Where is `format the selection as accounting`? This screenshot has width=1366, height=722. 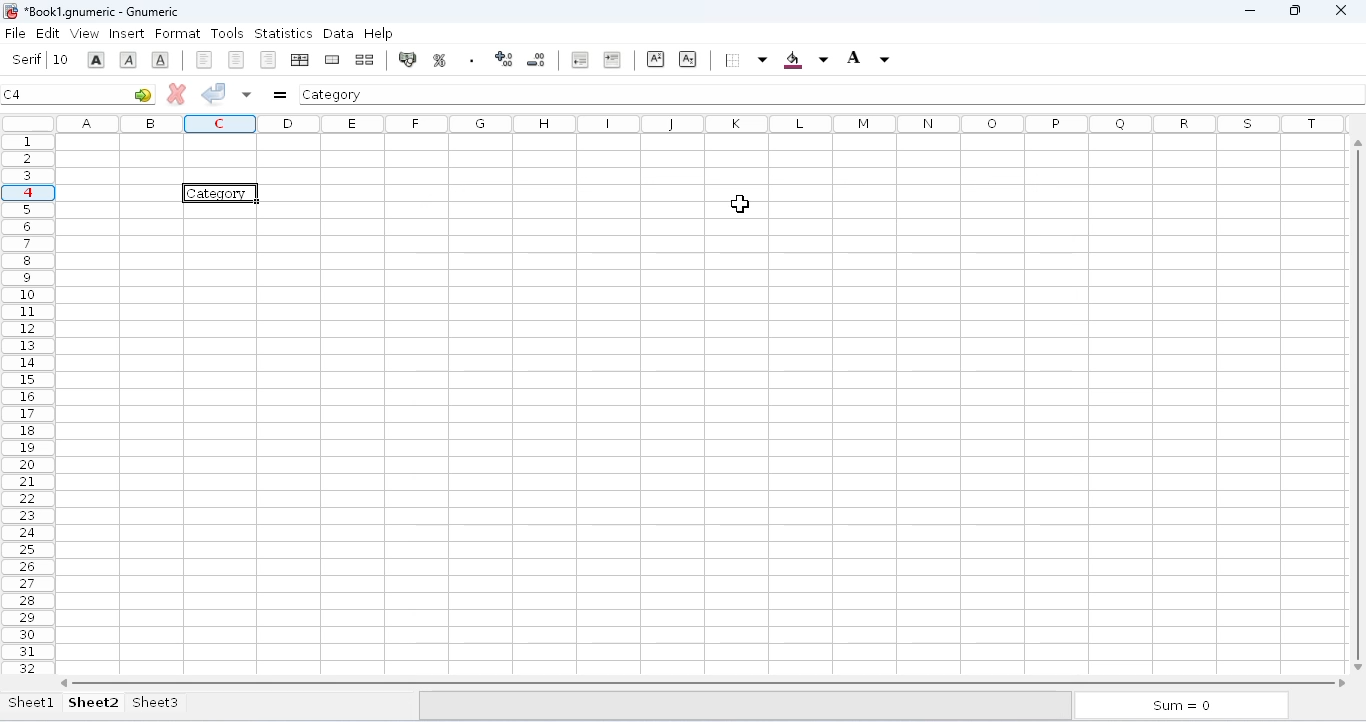 format the selection as accounting is located at coordinates (443, 59).